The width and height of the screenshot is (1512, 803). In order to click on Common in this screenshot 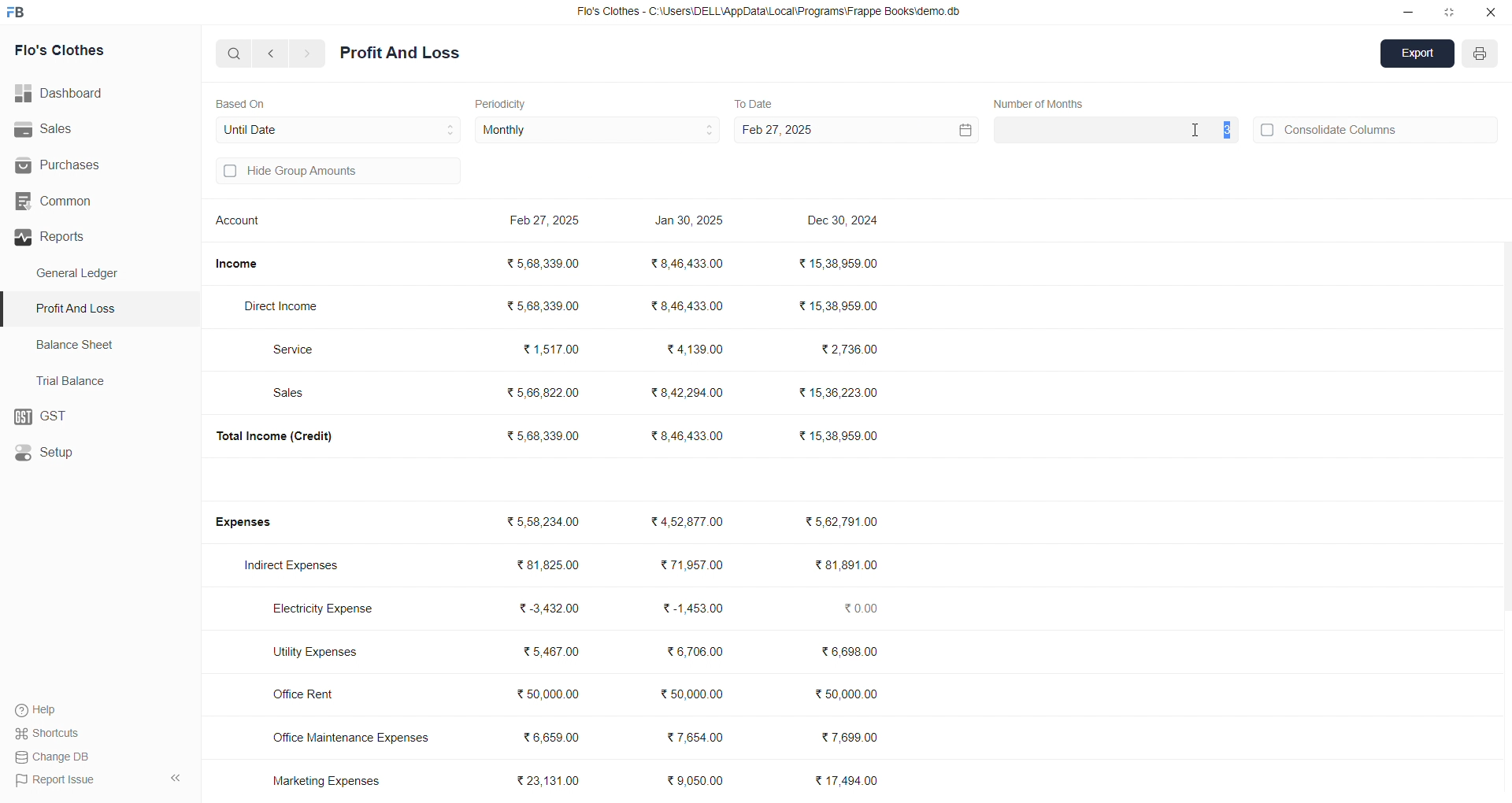, I will do `click(80, 202)`.